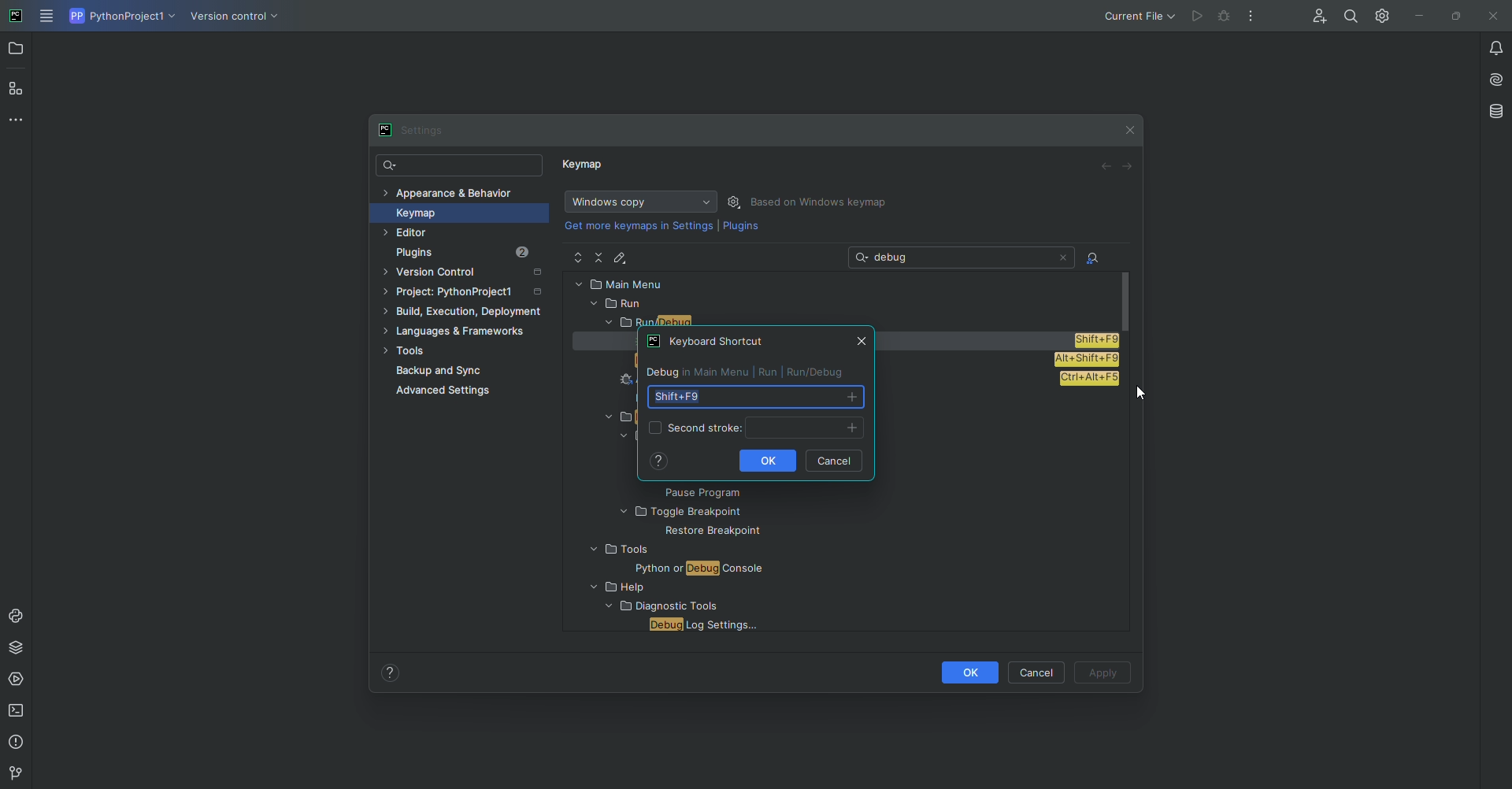 This screenshot has height=789, width=1512. Describe the element at coordinates (623, 257) in the screenshot. I see `Edit` at that location.